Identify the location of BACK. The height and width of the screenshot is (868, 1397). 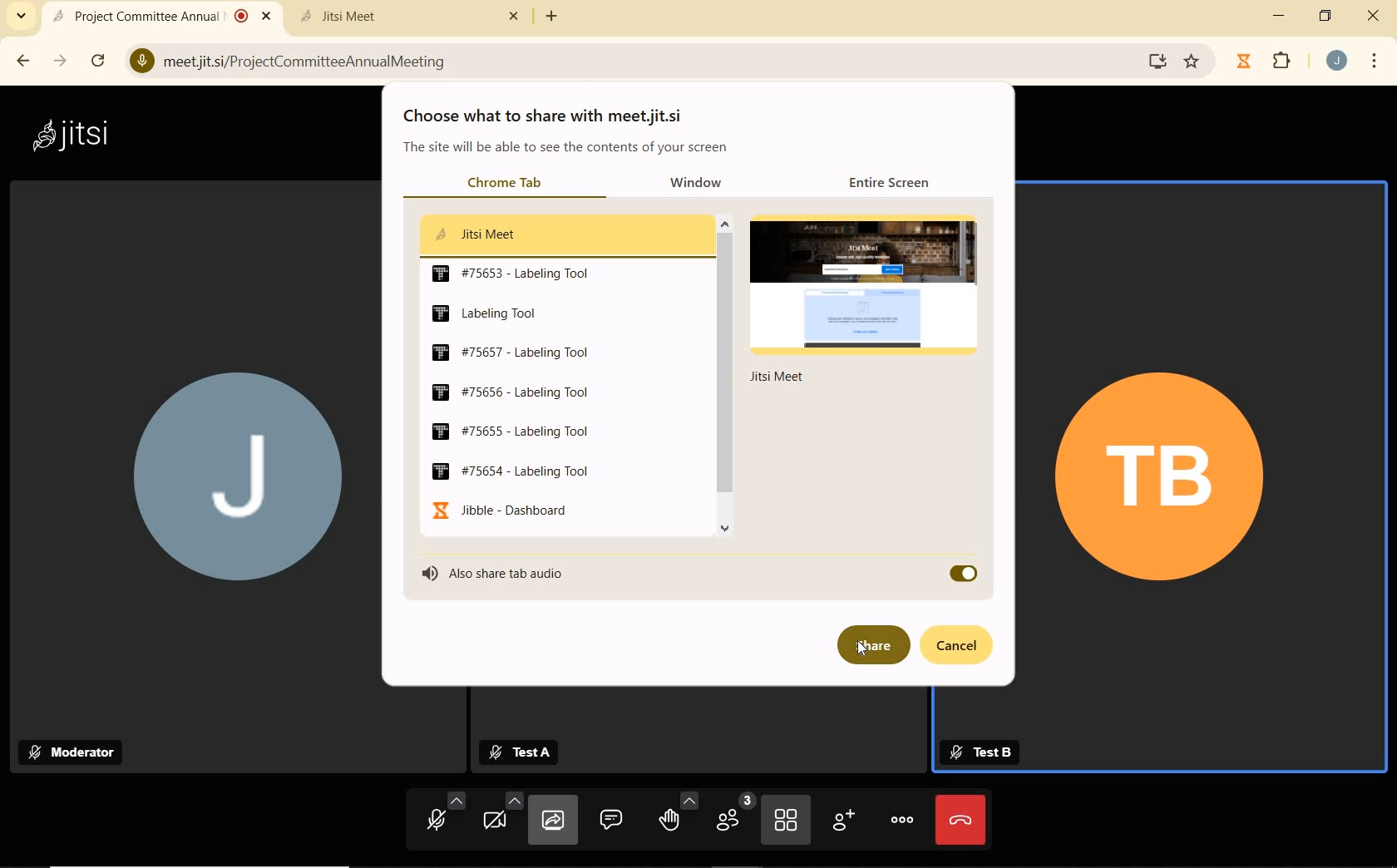
(22, 61).